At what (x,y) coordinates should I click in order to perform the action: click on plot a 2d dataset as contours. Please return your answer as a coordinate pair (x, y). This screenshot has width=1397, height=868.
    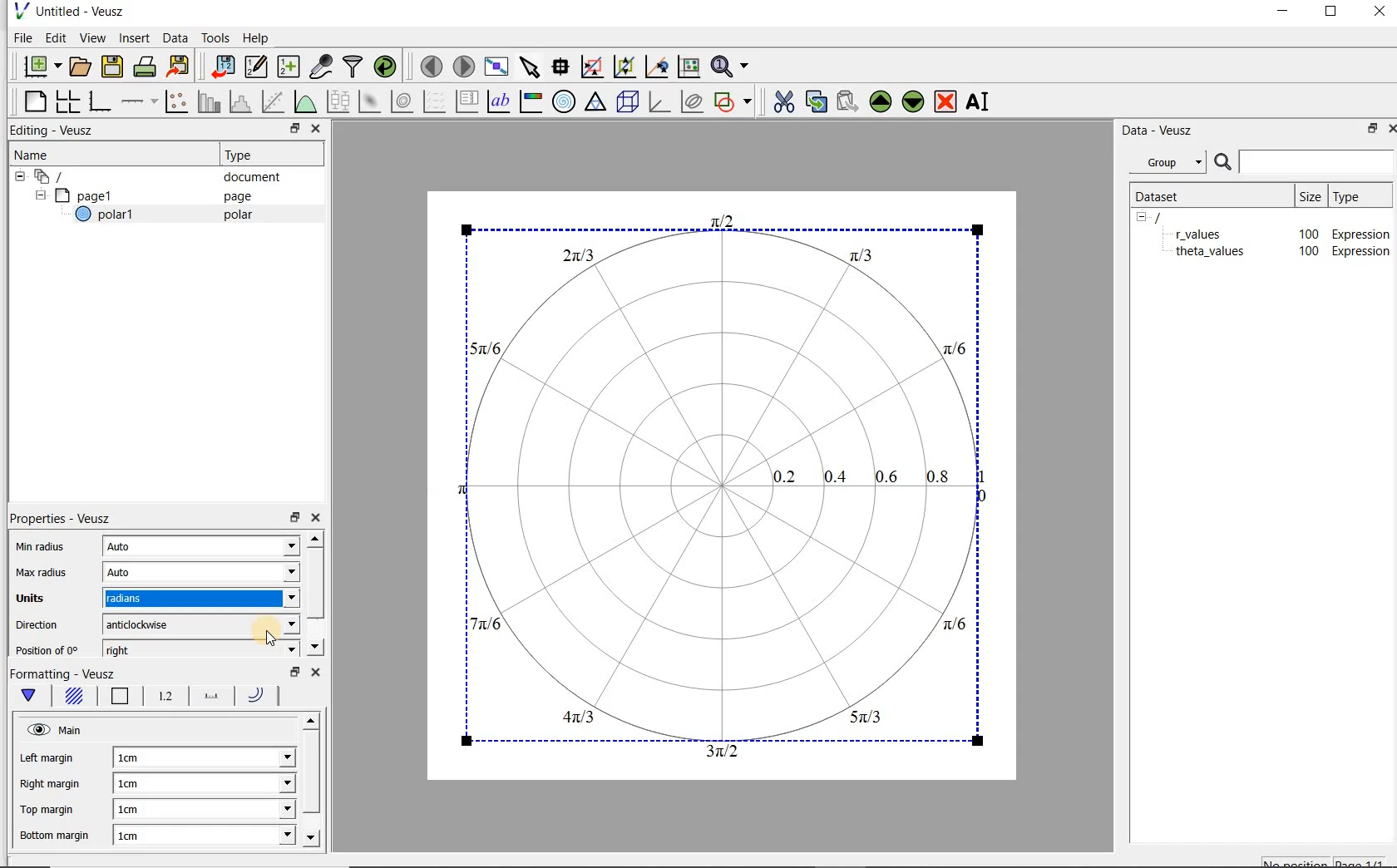
    Looking at the image, I should click on (403, 101).